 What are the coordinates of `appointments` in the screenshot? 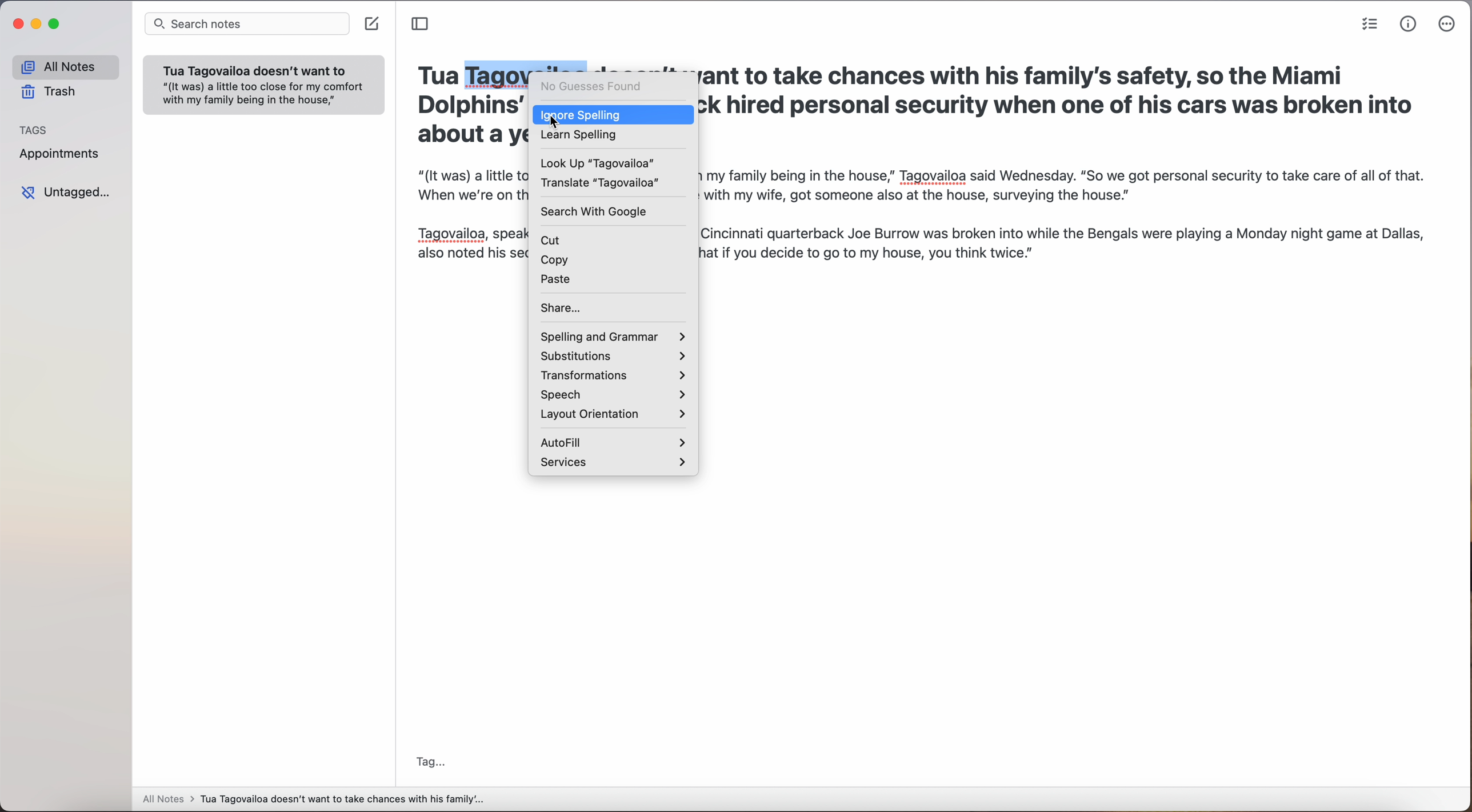 It's located at (63, 156).